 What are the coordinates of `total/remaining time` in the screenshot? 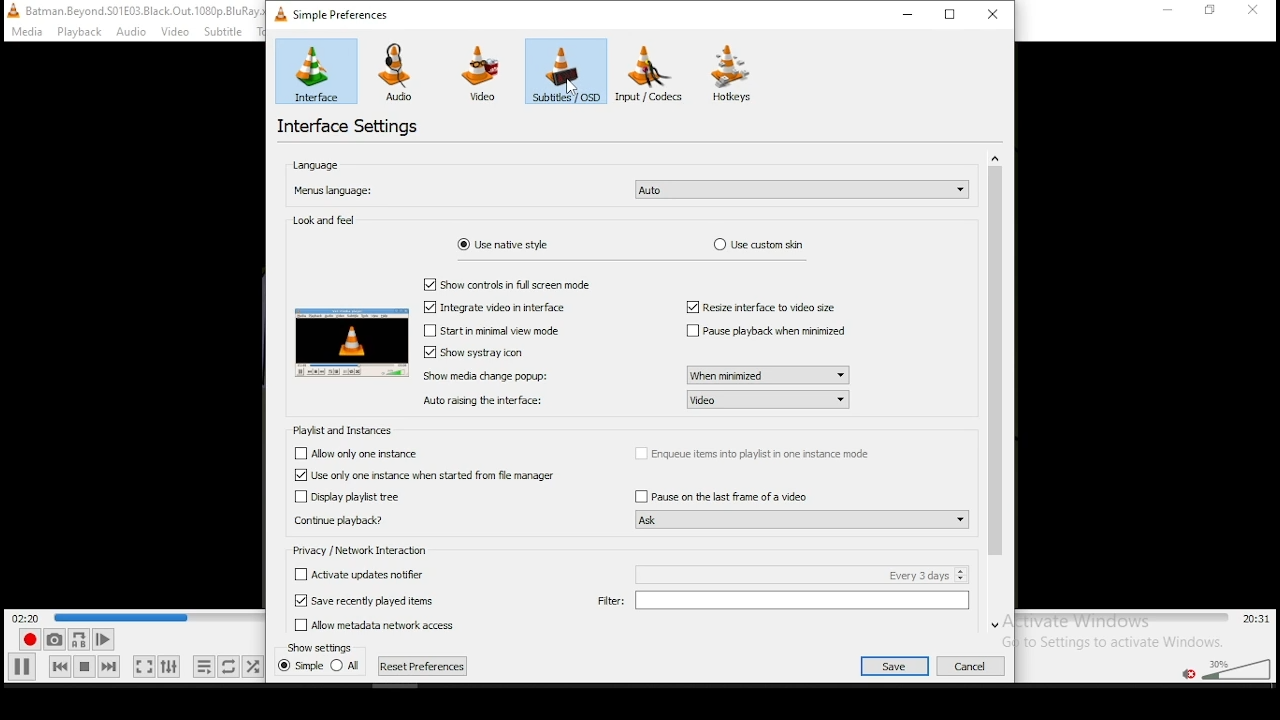 It's located at (1258, 619).